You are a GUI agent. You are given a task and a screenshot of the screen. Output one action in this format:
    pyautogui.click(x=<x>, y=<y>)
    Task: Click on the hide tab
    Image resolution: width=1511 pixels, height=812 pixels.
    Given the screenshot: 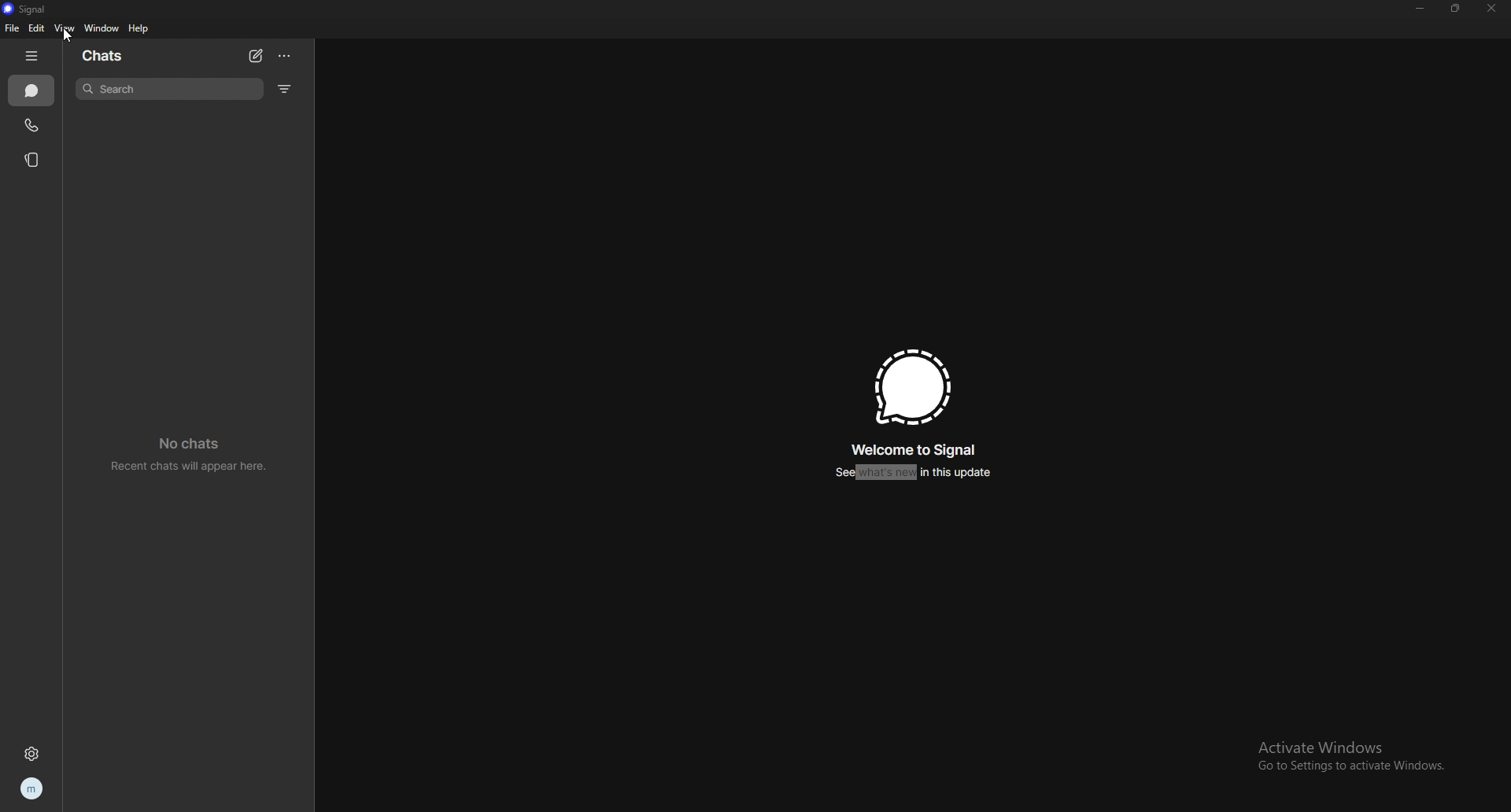 What is the action you would take?
    pyautogui.click(x=32, y=56)
    